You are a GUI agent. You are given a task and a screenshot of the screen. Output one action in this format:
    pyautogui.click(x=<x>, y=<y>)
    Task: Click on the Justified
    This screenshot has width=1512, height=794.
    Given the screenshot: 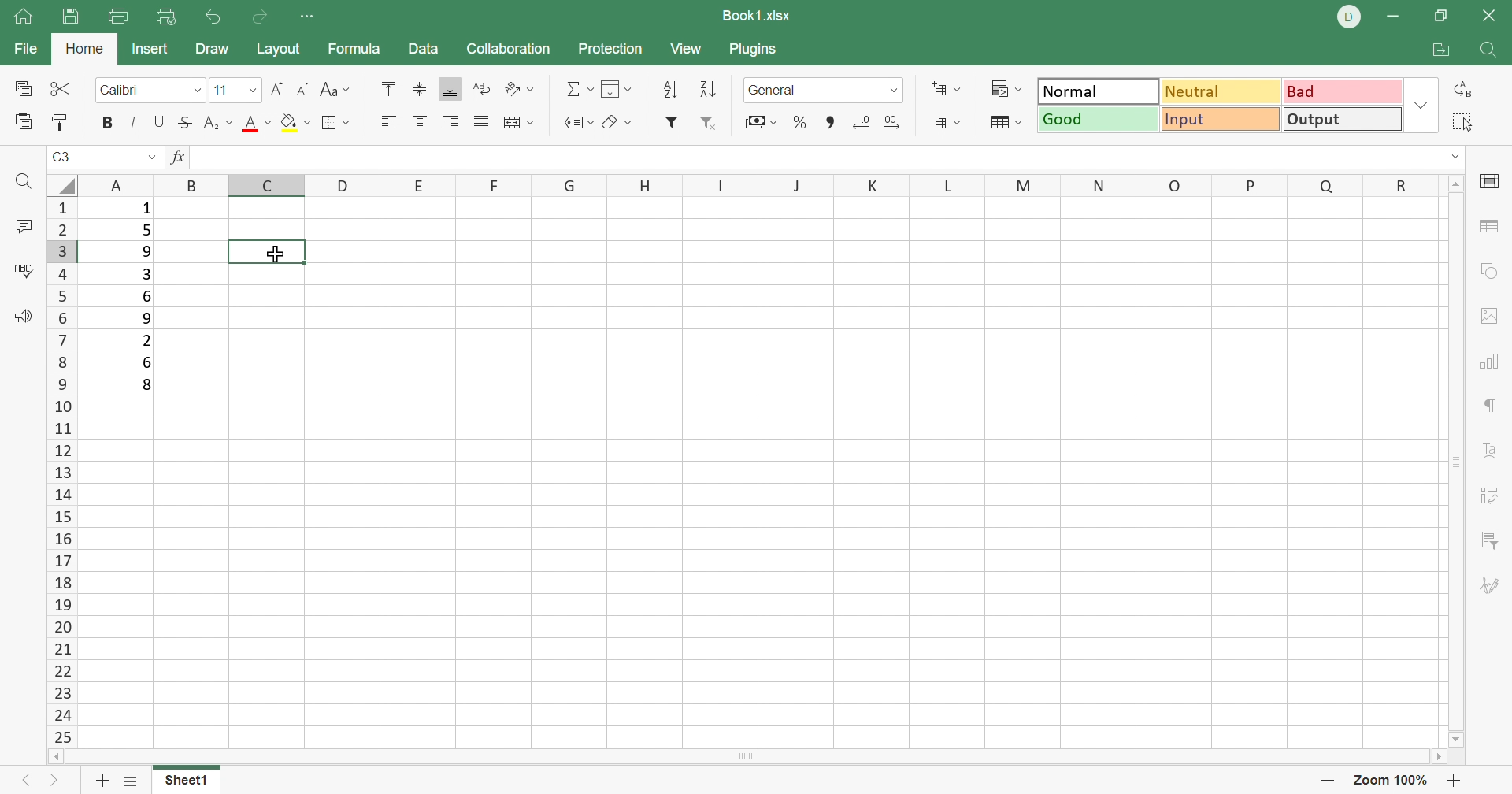 What is the action you would take?
    pyautogui.click(x=480, y=123)
    